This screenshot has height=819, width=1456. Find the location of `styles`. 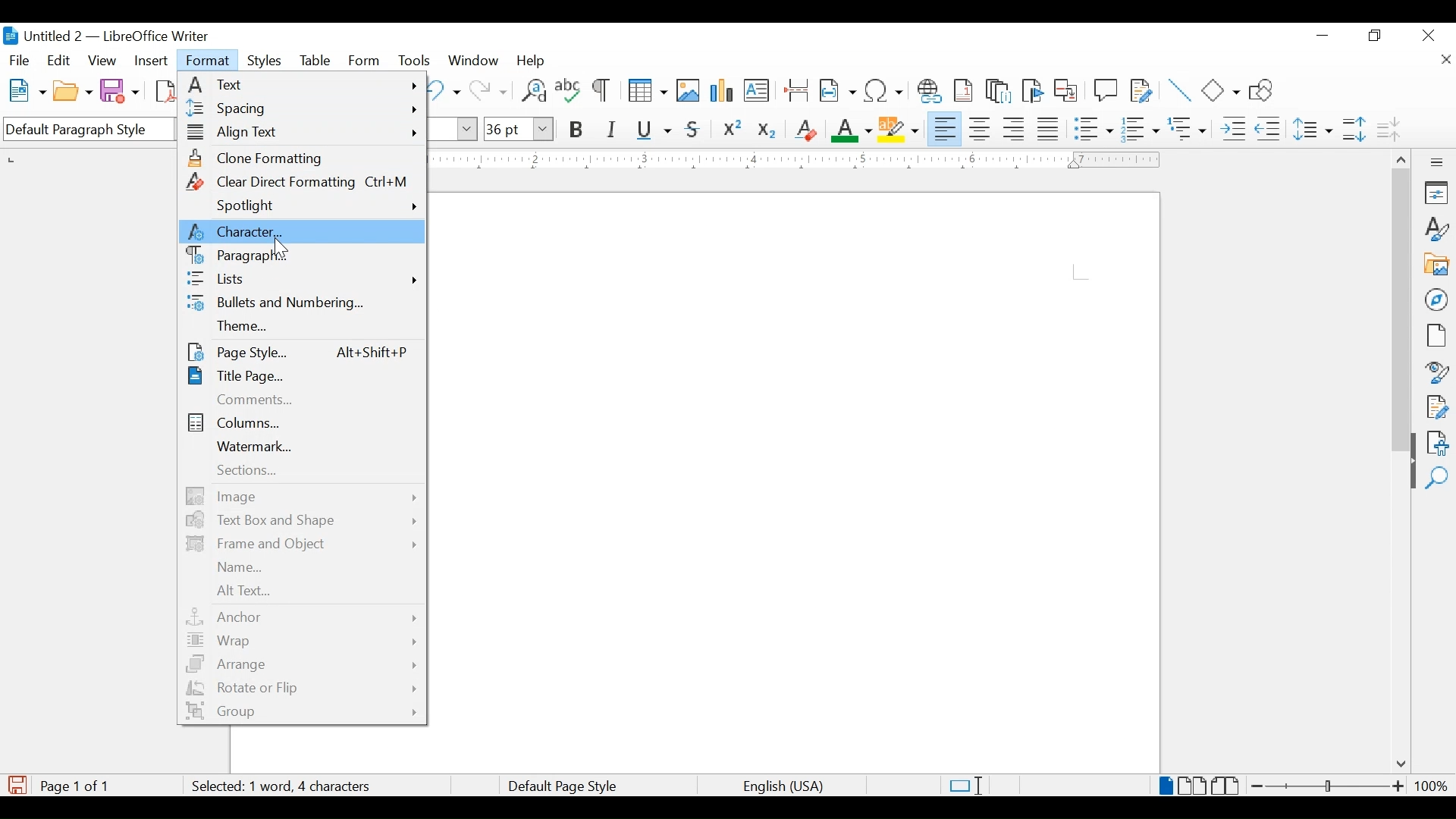

styles is located at coordinates (268, 61).